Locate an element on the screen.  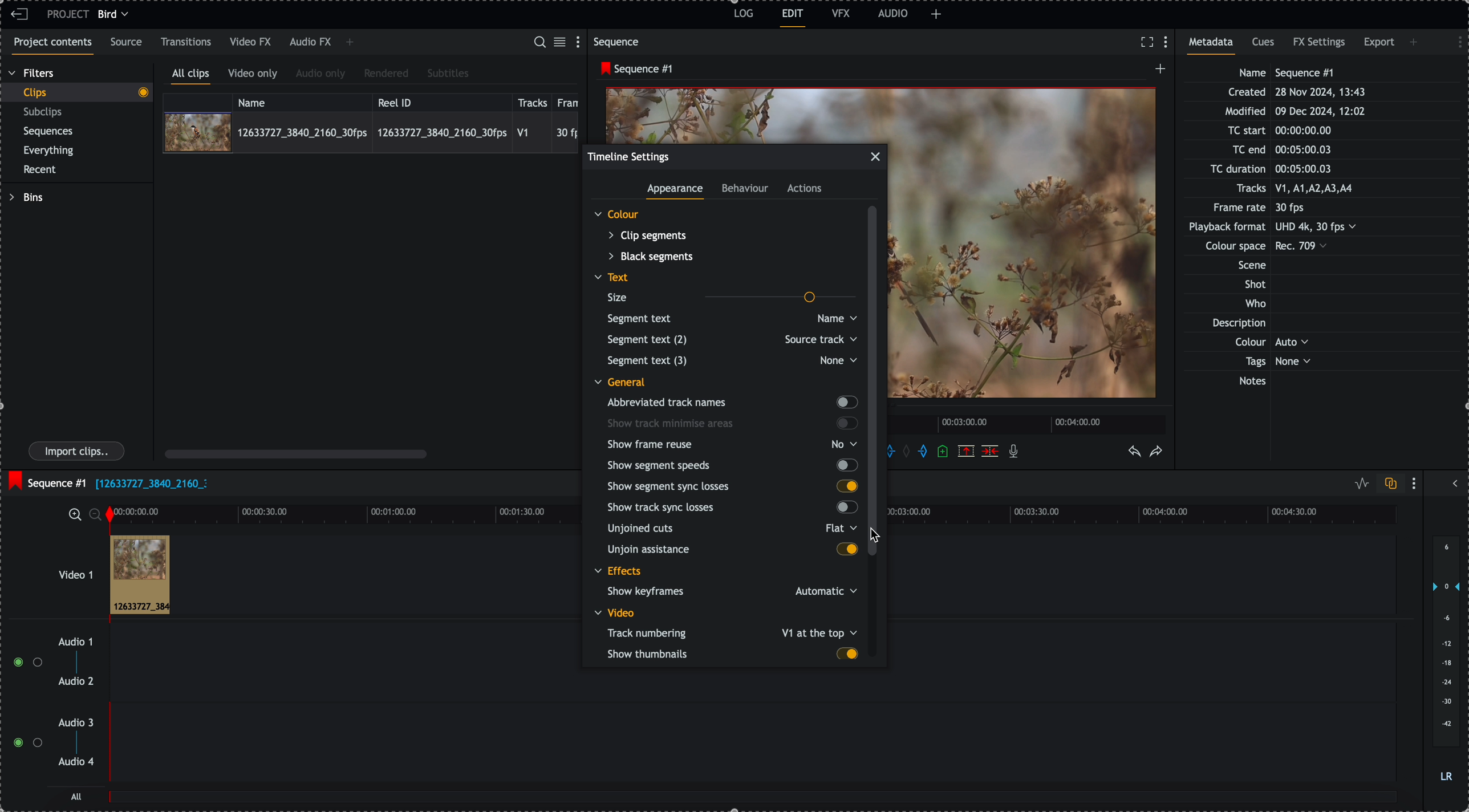
segment text (3) is located at coordinates (729, 360).